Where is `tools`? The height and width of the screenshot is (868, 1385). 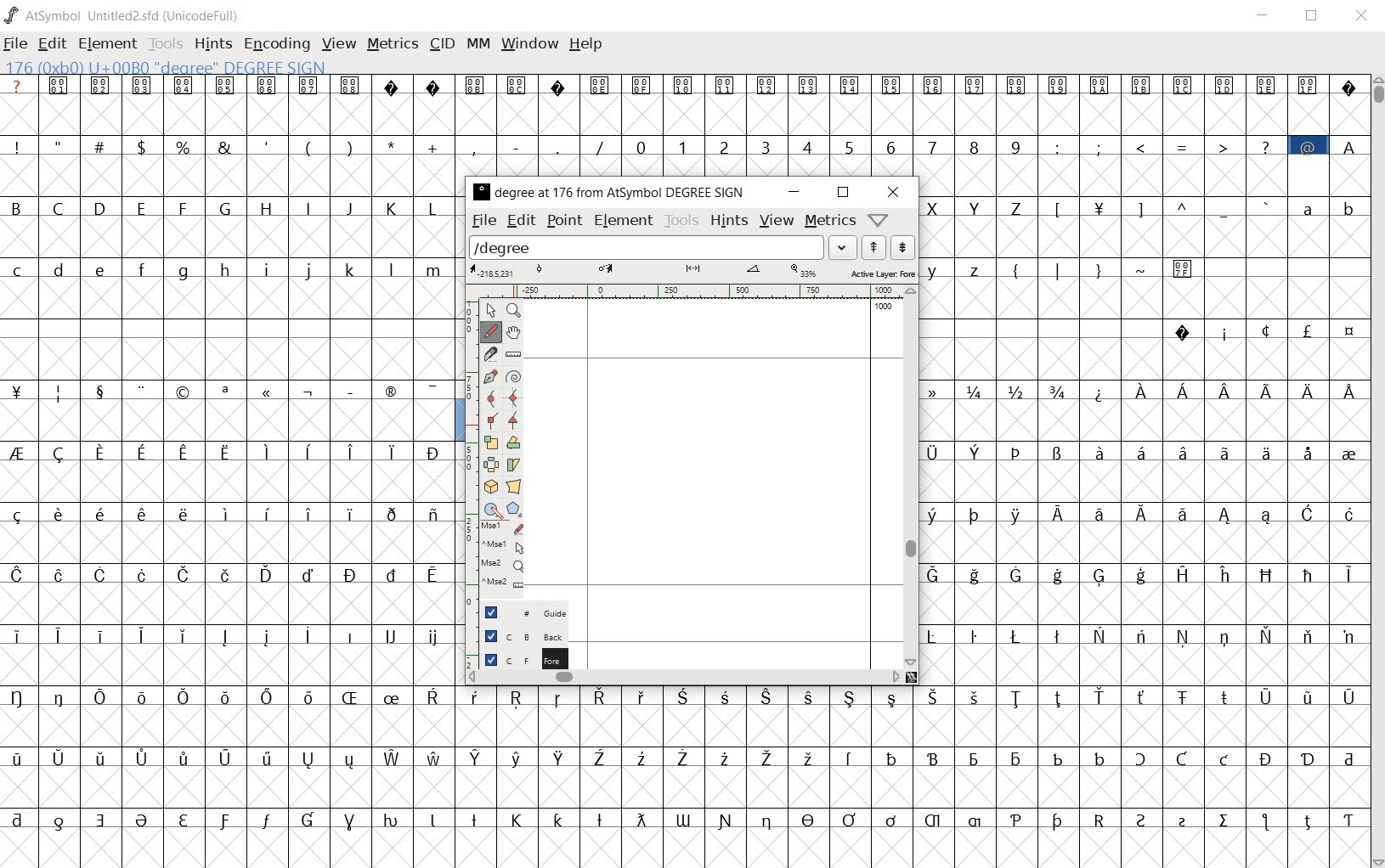
tools is located at coordinates (166, 43).